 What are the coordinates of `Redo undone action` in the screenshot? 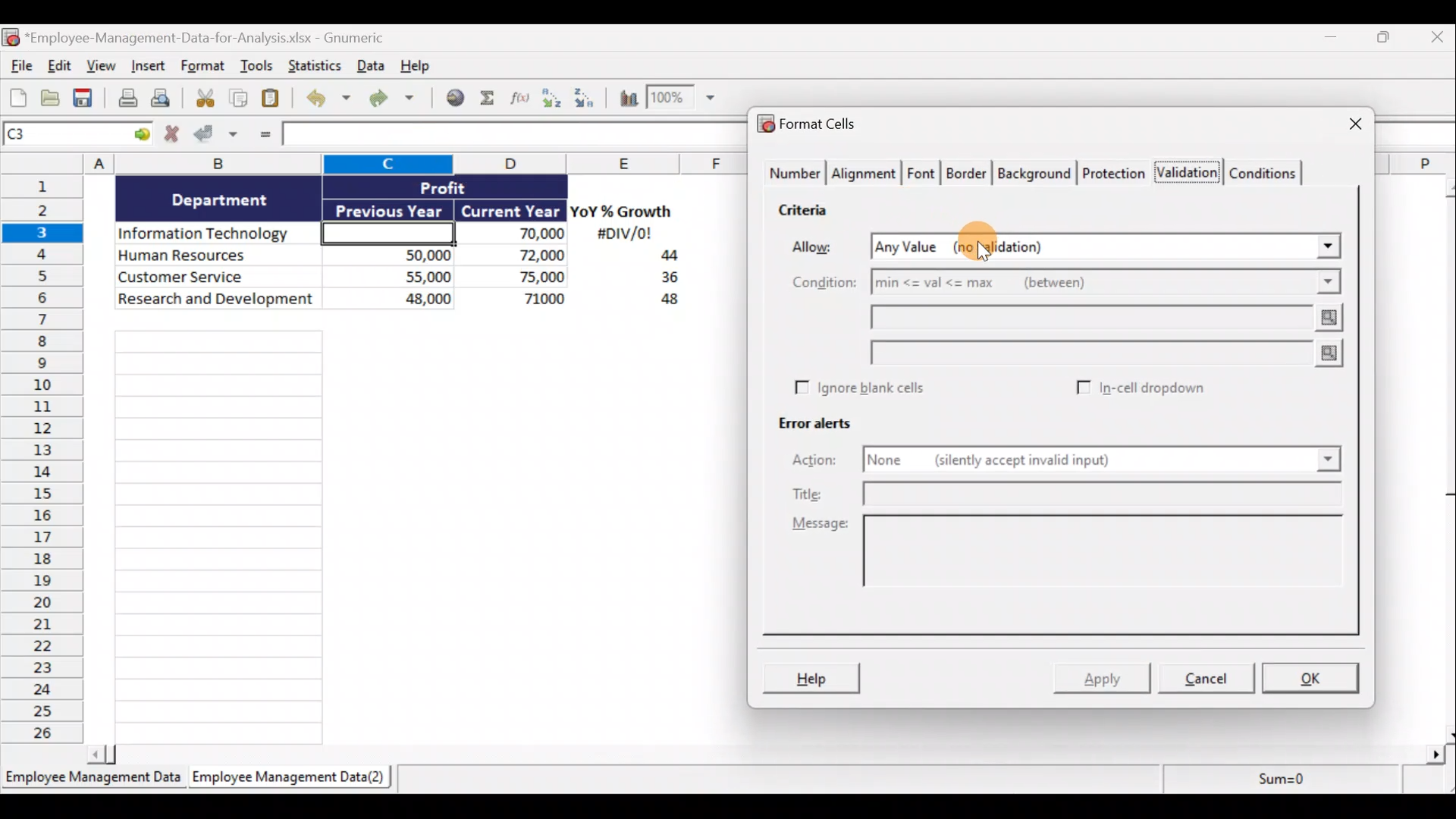 It's located at (398, 99).